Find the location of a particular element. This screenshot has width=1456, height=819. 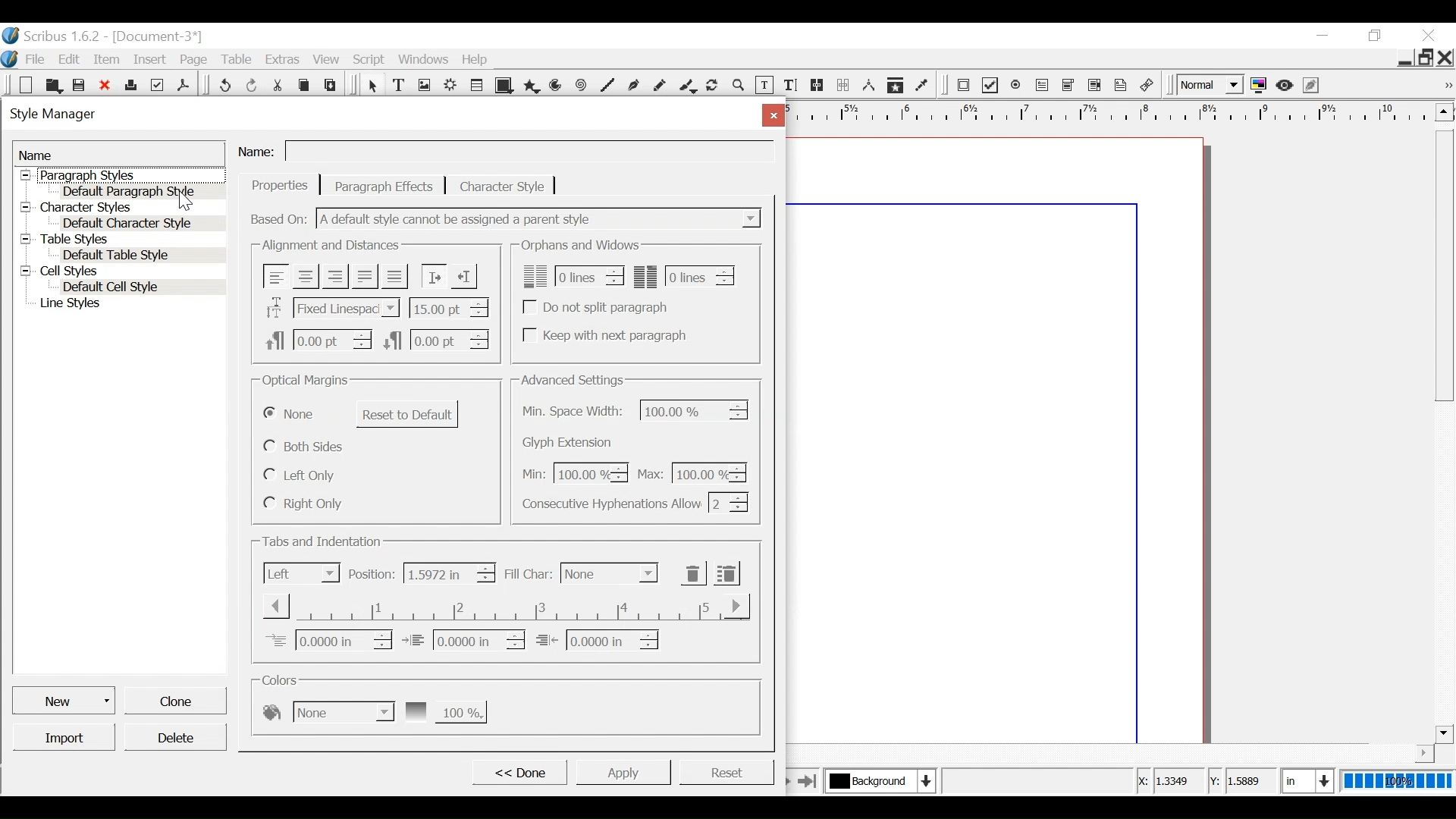

Table is located at coordinates (237, 60).